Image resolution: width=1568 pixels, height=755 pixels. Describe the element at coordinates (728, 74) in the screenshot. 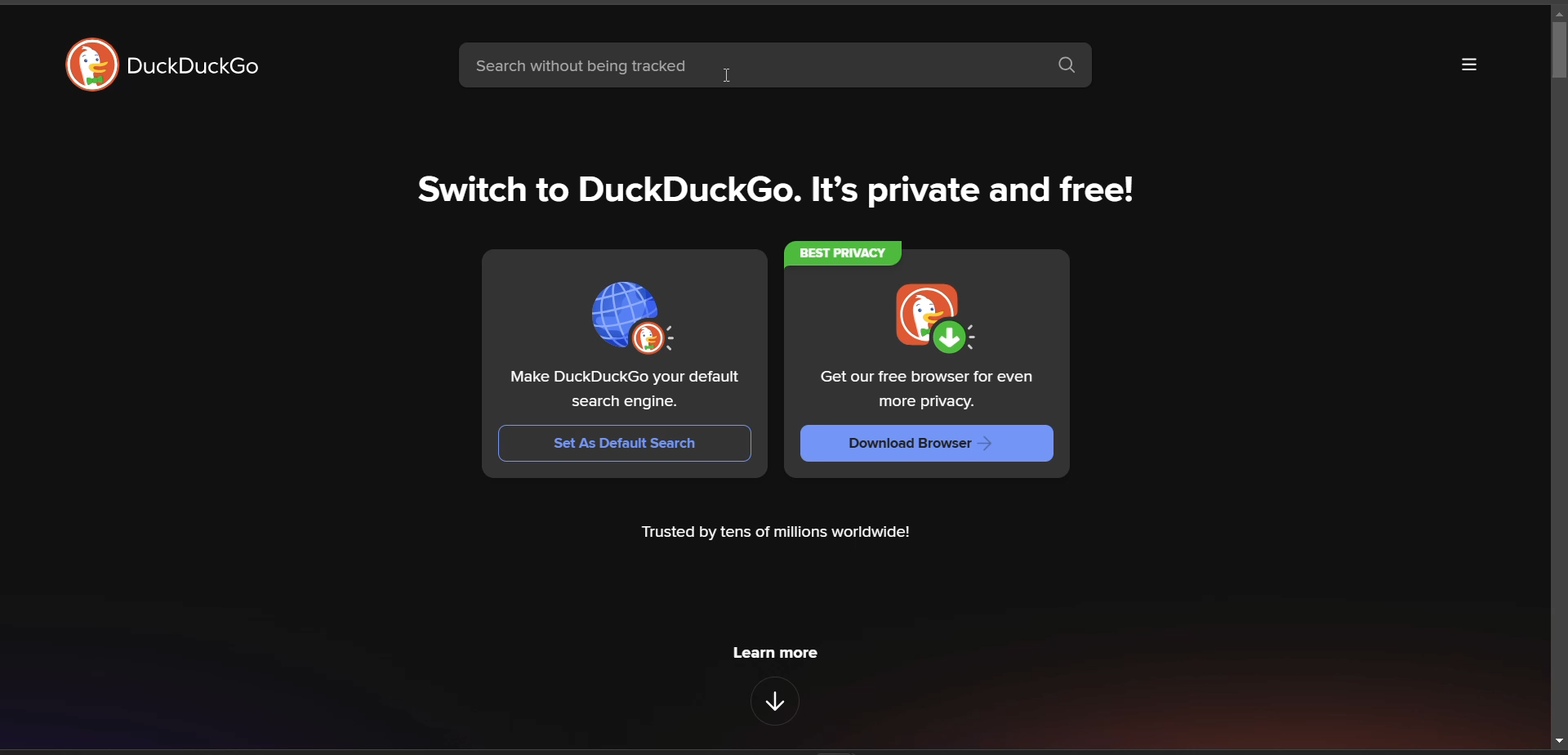

I see `cursor` at that location.